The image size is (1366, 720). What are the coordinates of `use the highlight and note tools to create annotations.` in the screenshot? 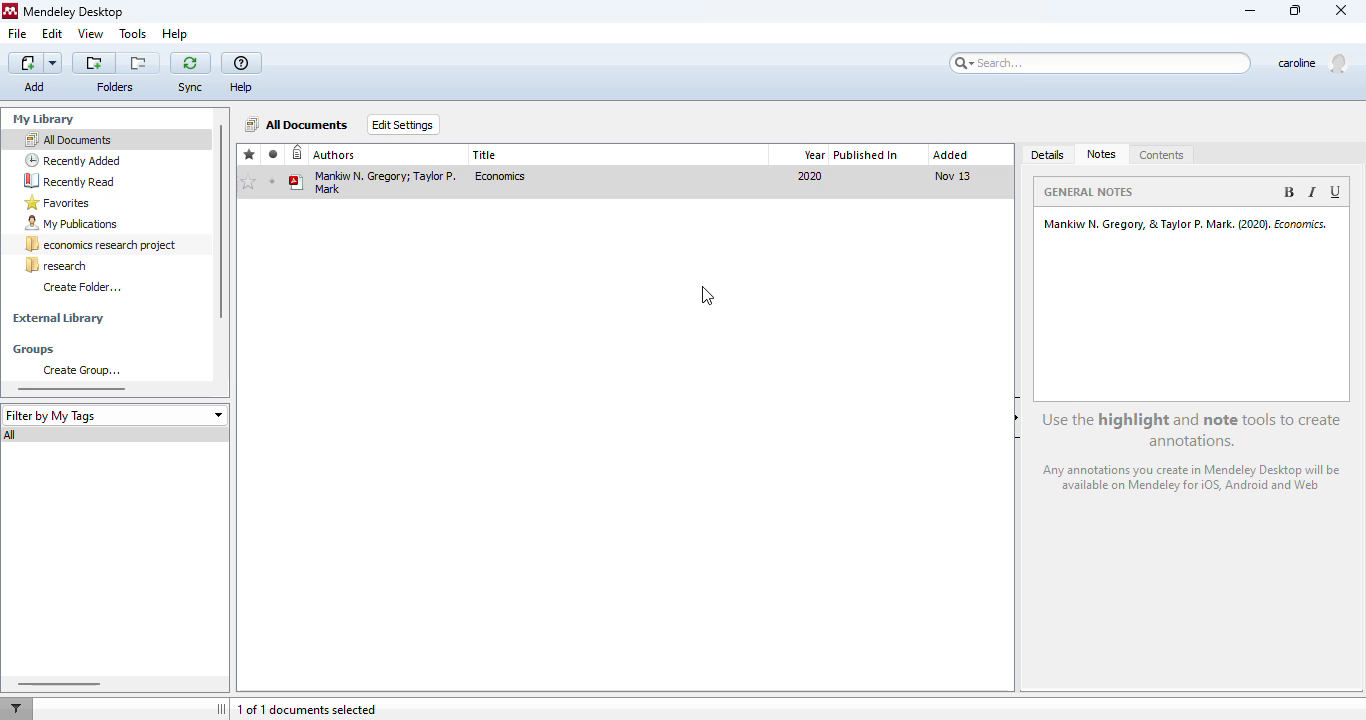 It's located at (1194, 430).